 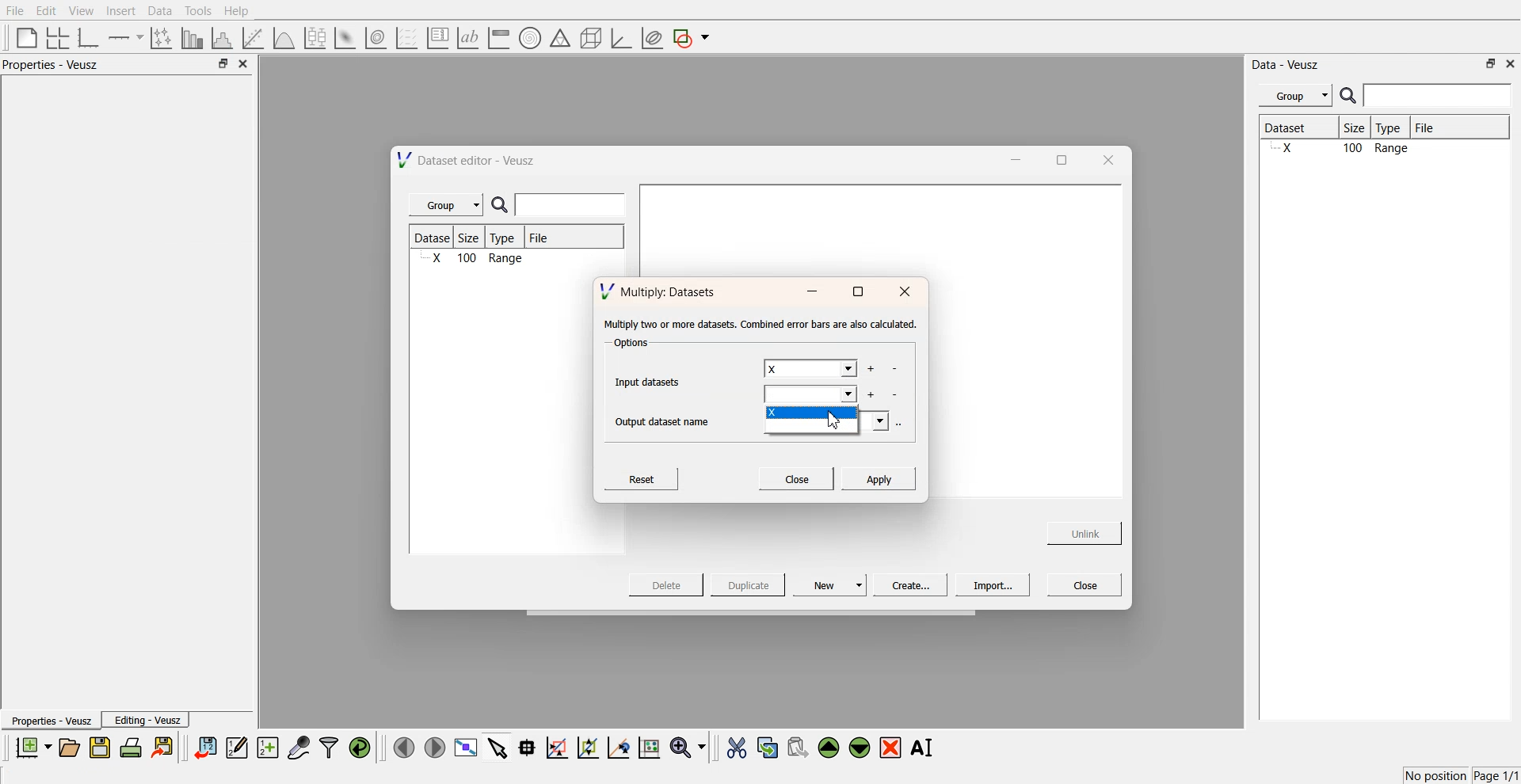 I want to click on close, so click(x=1511, y=63).